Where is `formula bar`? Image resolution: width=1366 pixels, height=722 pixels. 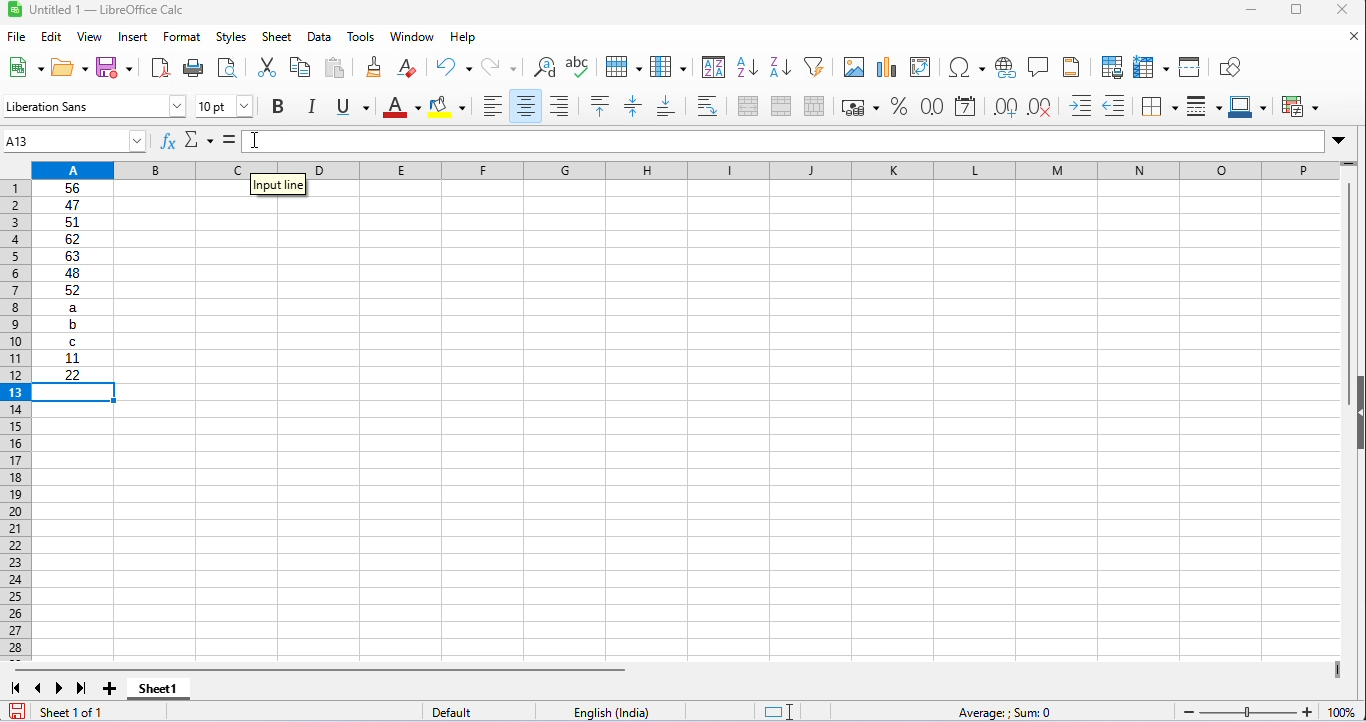 formula bar is located at coordinates (783, 141).